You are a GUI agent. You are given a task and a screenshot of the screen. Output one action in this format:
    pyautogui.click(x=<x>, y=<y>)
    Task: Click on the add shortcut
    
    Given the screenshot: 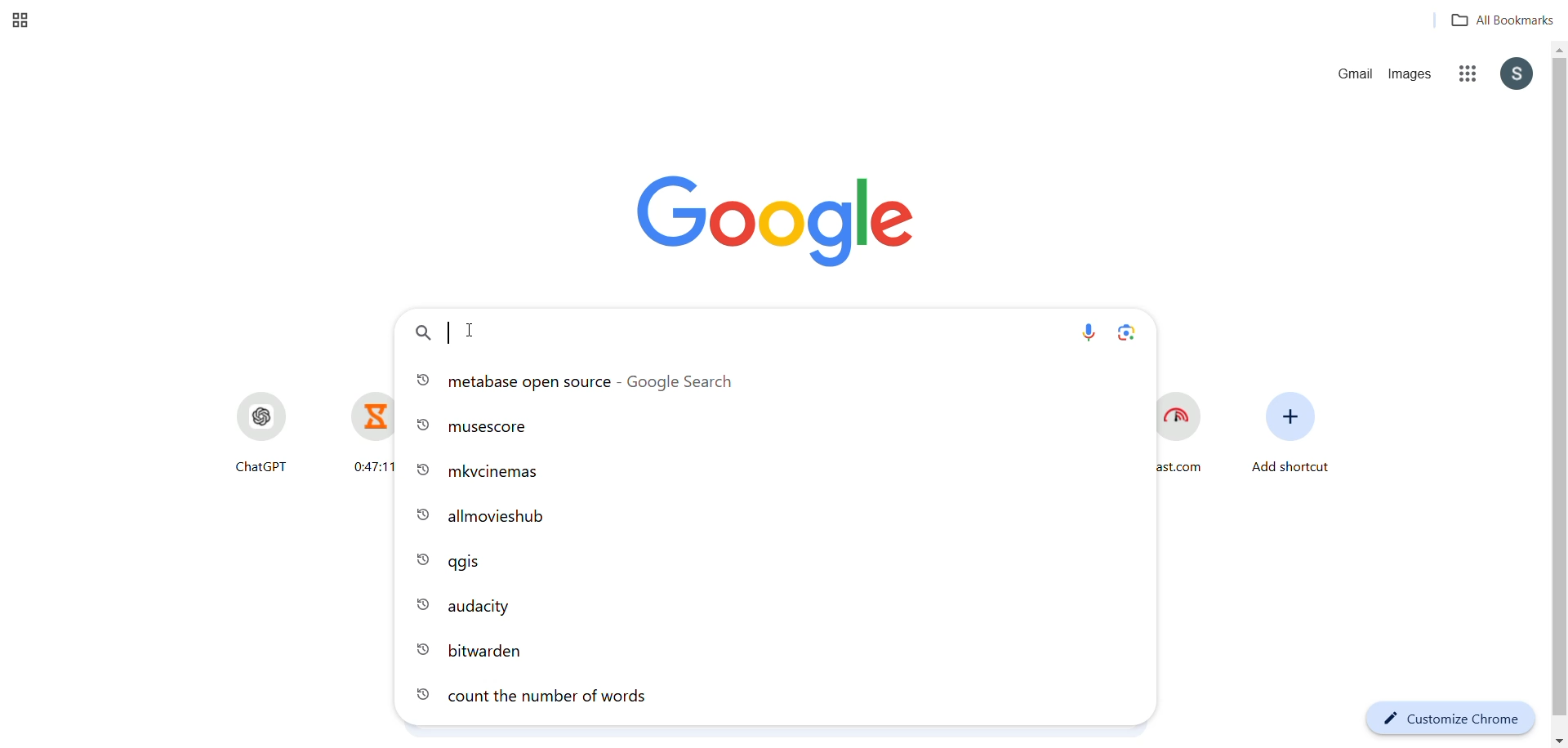 What is the action you would take?
    pyautogui.click(x=1290, y=439)
    